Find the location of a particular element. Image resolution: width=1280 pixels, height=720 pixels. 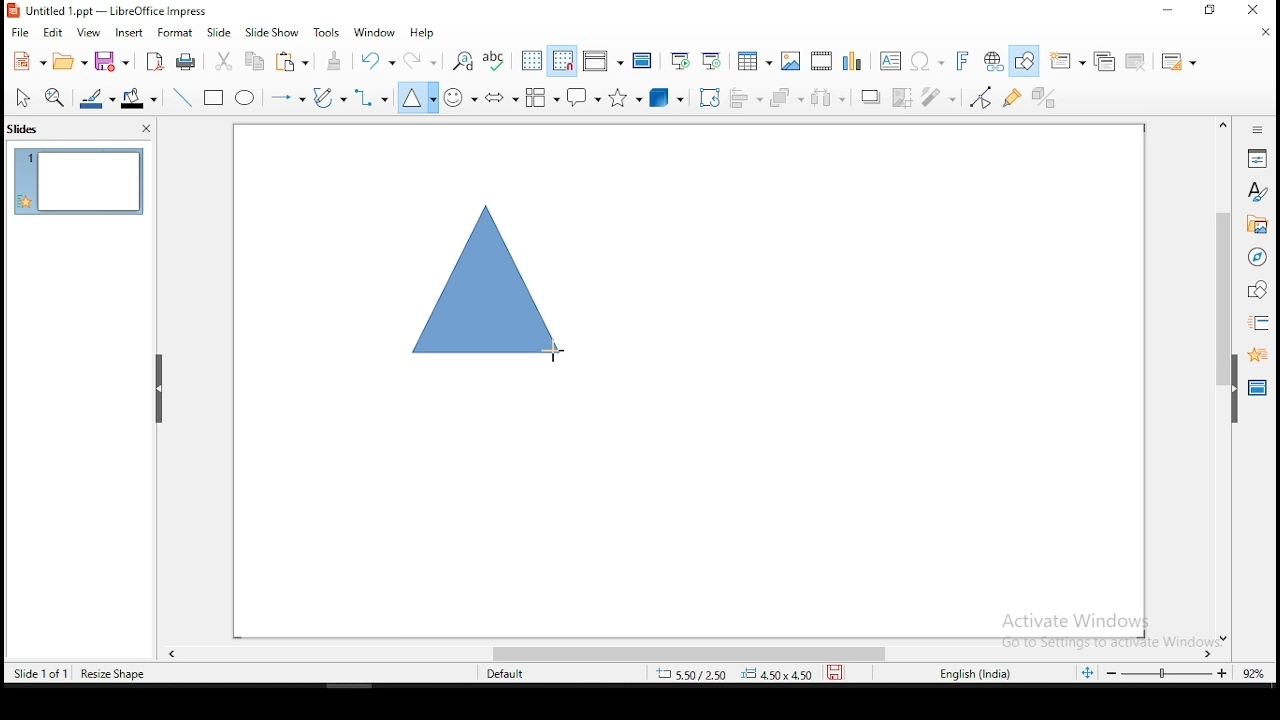

show grid is located at coordinates (531, 60).